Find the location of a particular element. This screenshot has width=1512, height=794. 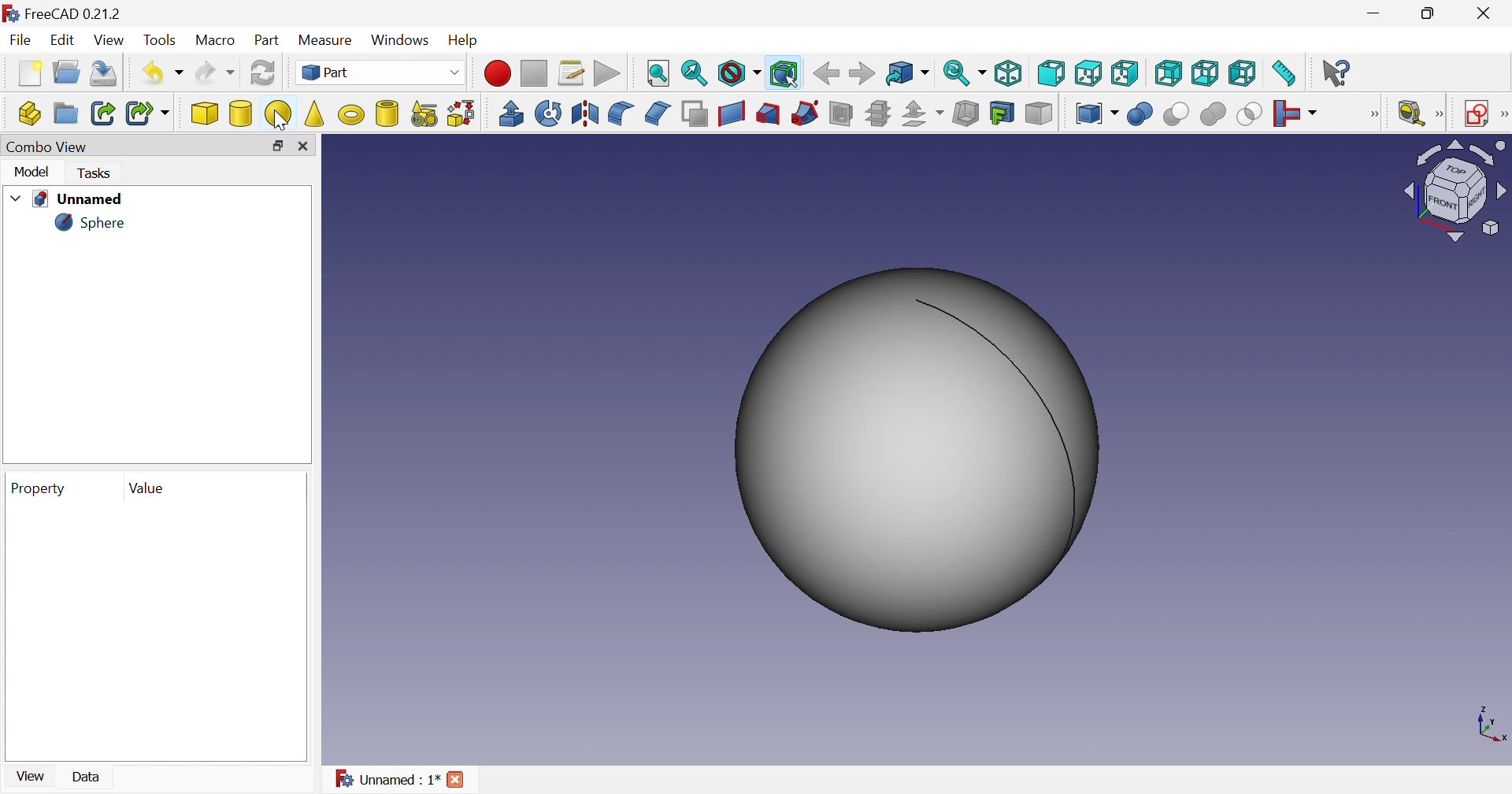

Fit all is located at coordinates (660, 72).